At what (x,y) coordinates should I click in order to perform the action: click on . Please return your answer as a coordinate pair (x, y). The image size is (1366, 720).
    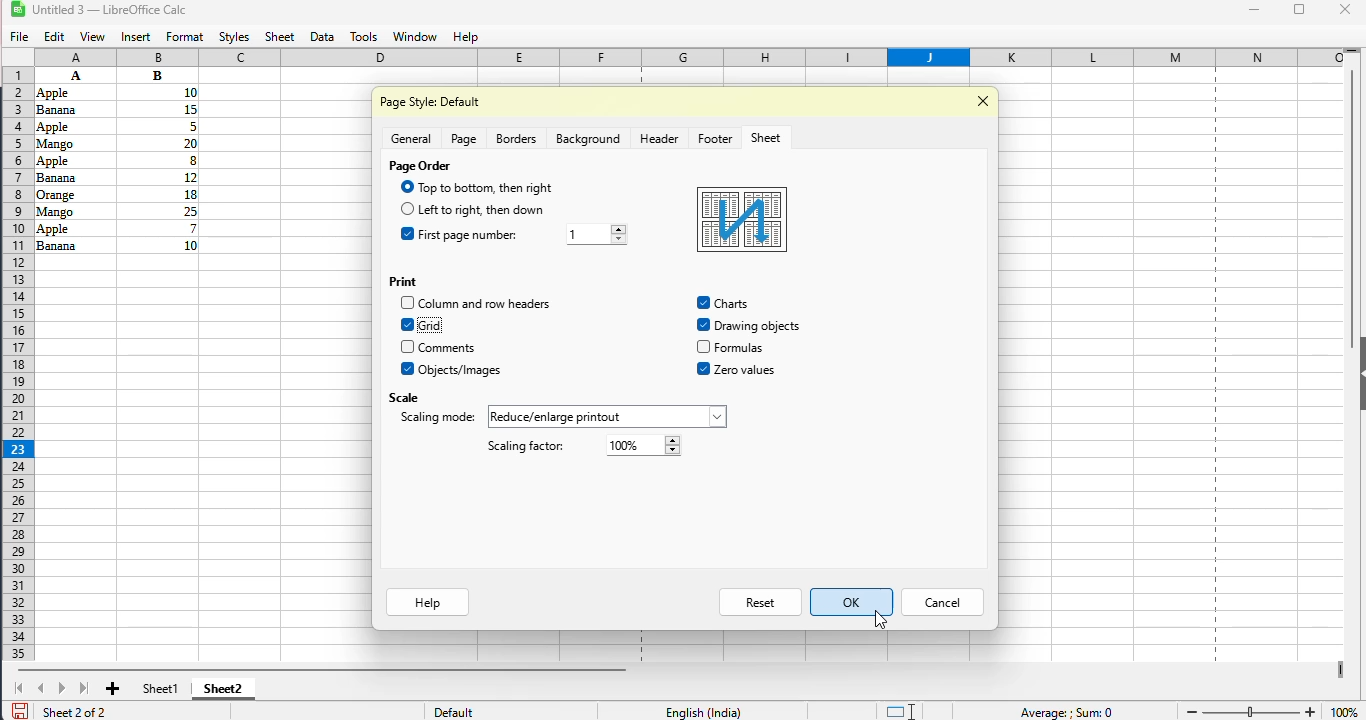
    Looking at the image, I should click on (406, 324).